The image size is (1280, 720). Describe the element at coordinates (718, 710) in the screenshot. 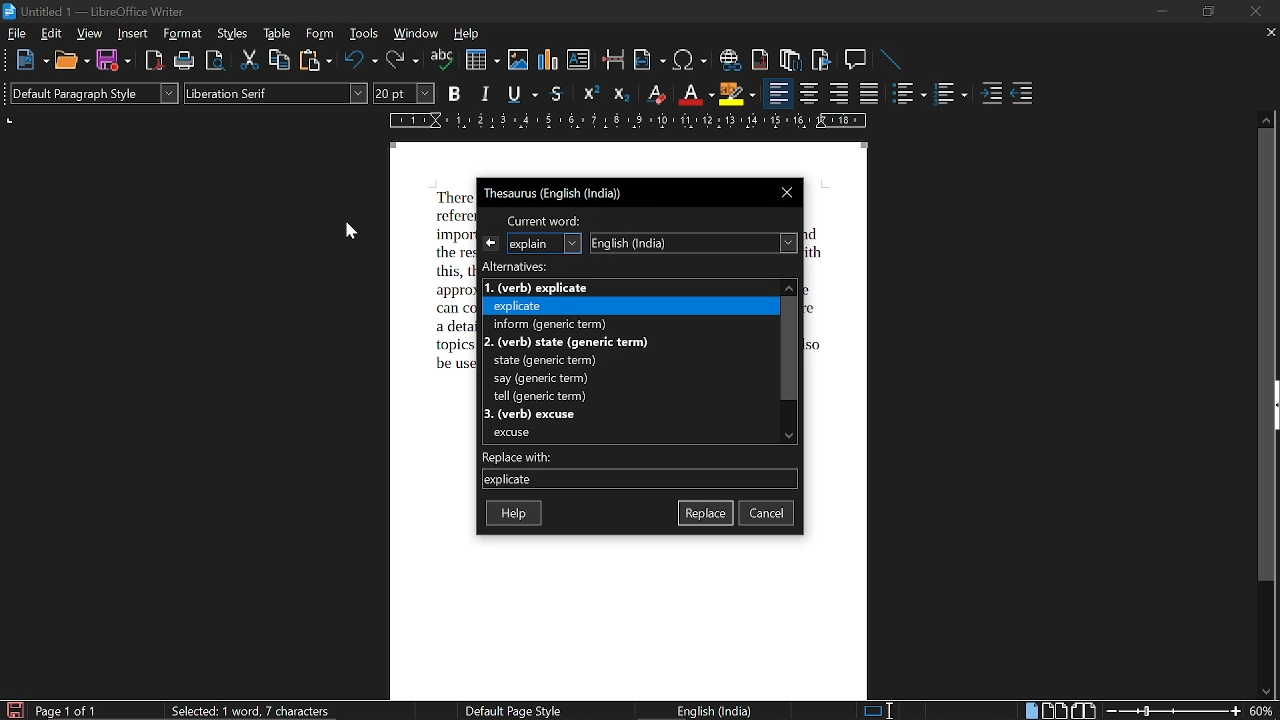

I see `English (India)` at that location.